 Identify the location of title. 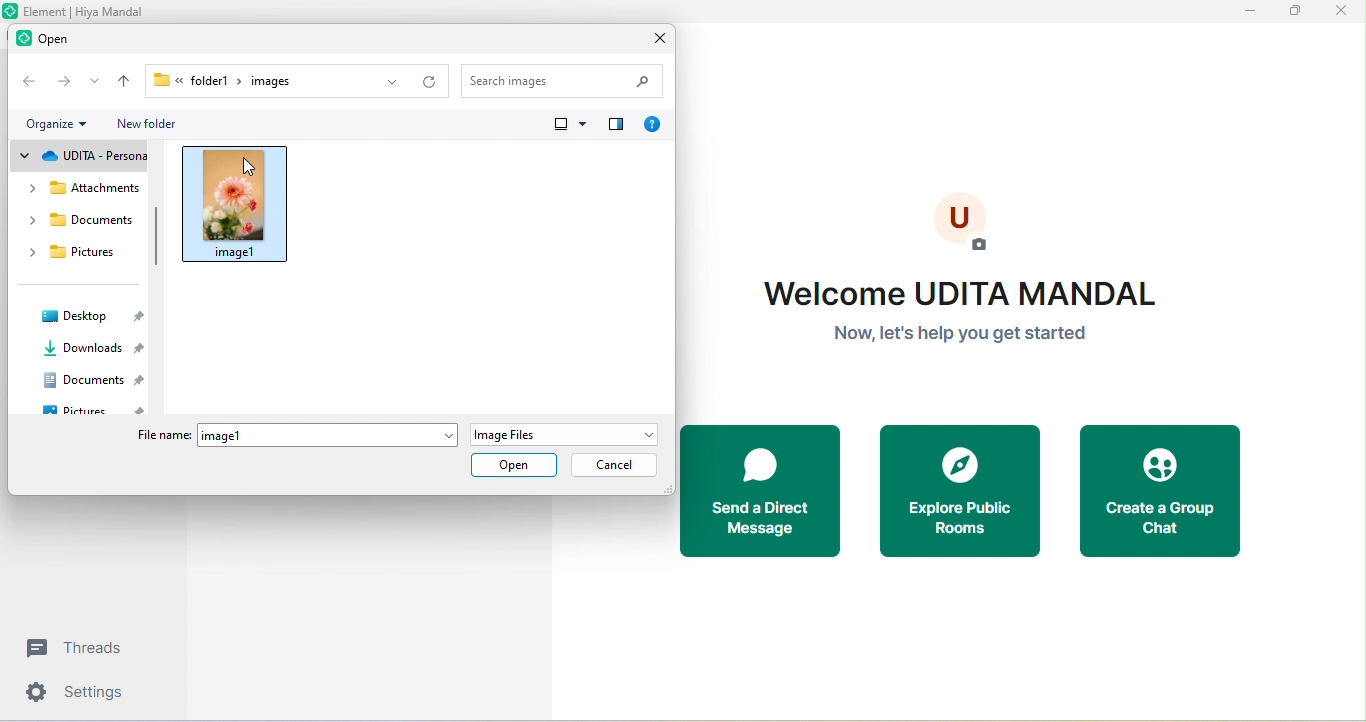
(78, 11).